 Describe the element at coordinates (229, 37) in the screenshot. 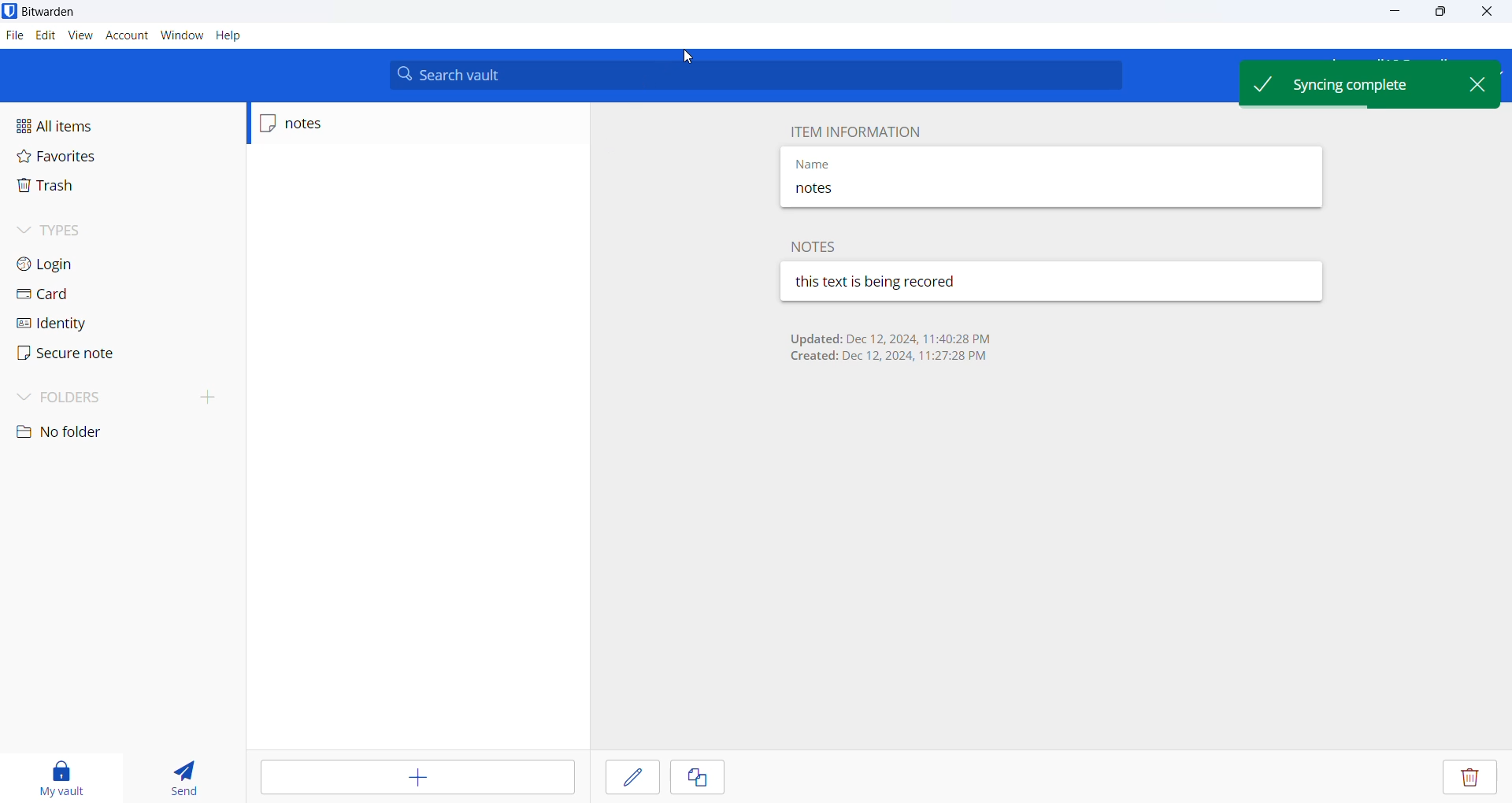

I see `help` at that location.